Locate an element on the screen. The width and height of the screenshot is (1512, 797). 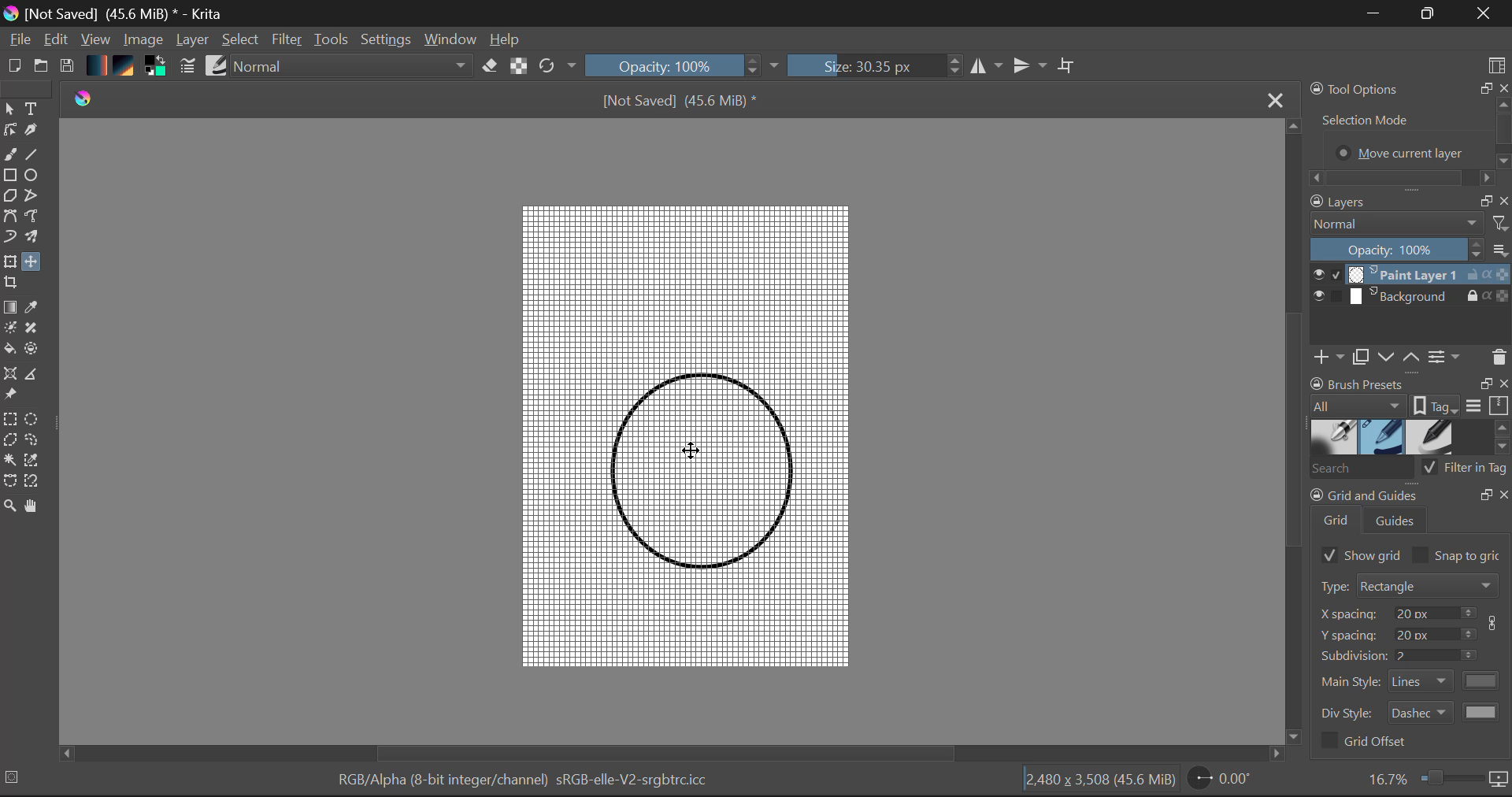
Bezier Curve is located at coordinates (9, 218).